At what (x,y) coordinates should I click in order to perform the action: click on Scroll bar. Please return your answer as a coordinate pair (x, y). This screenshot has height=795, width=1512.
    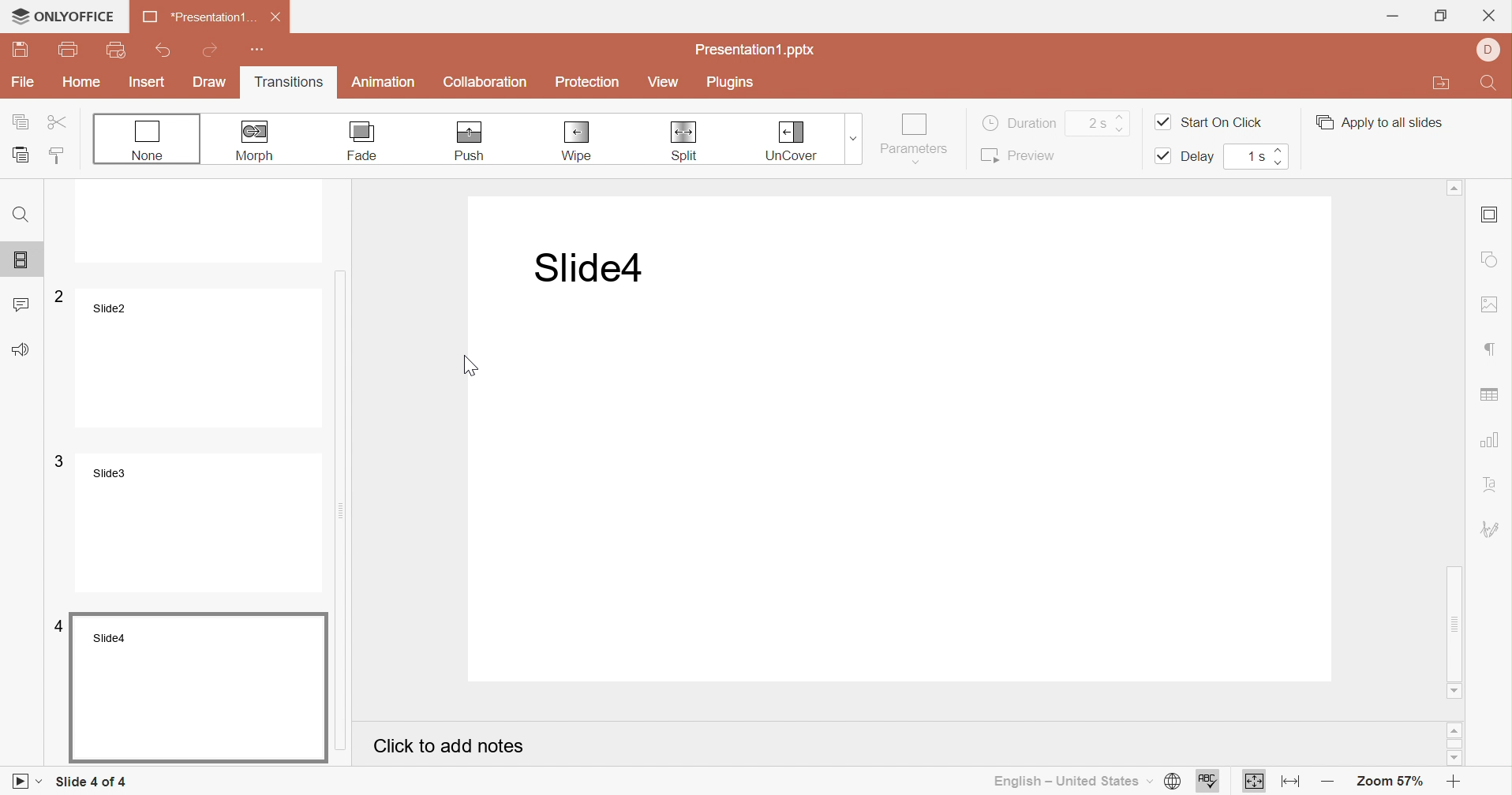
    Looking at the image, I should click on (1456, 435).